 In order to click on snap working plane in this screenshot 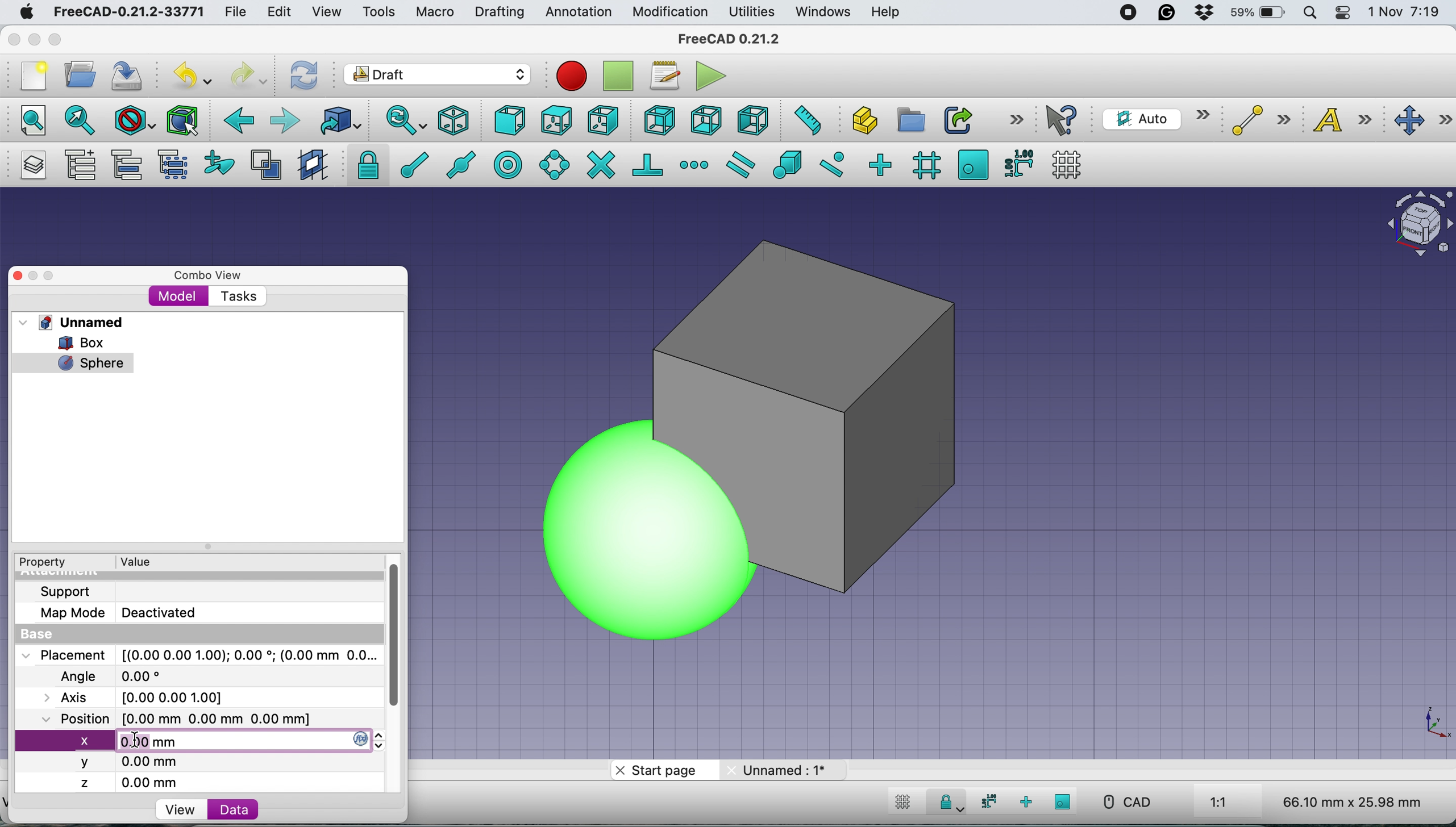, I will do `click(1063, 801)`.